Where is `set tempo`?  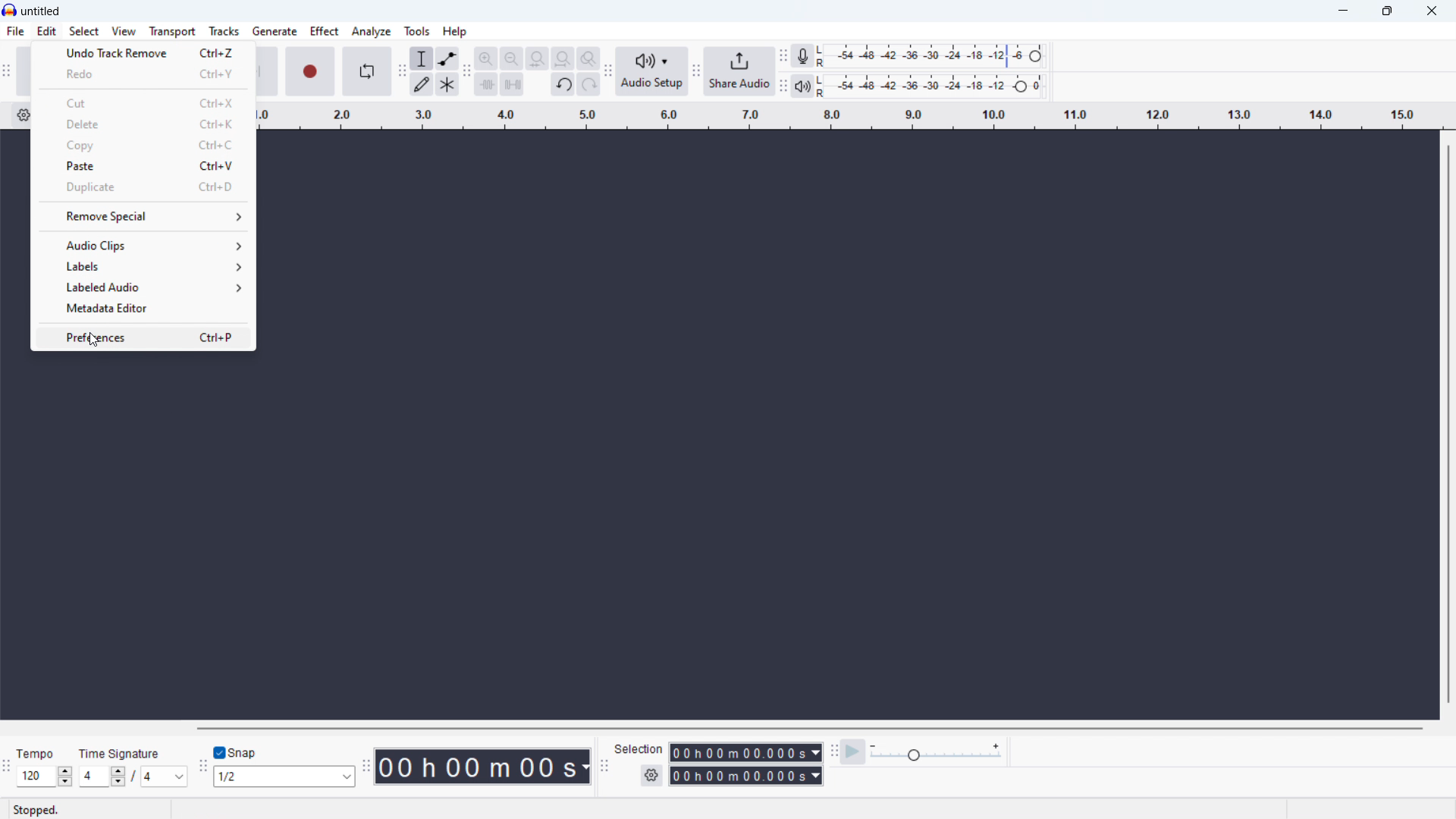 set tempo is located at coordinates (44, 777).